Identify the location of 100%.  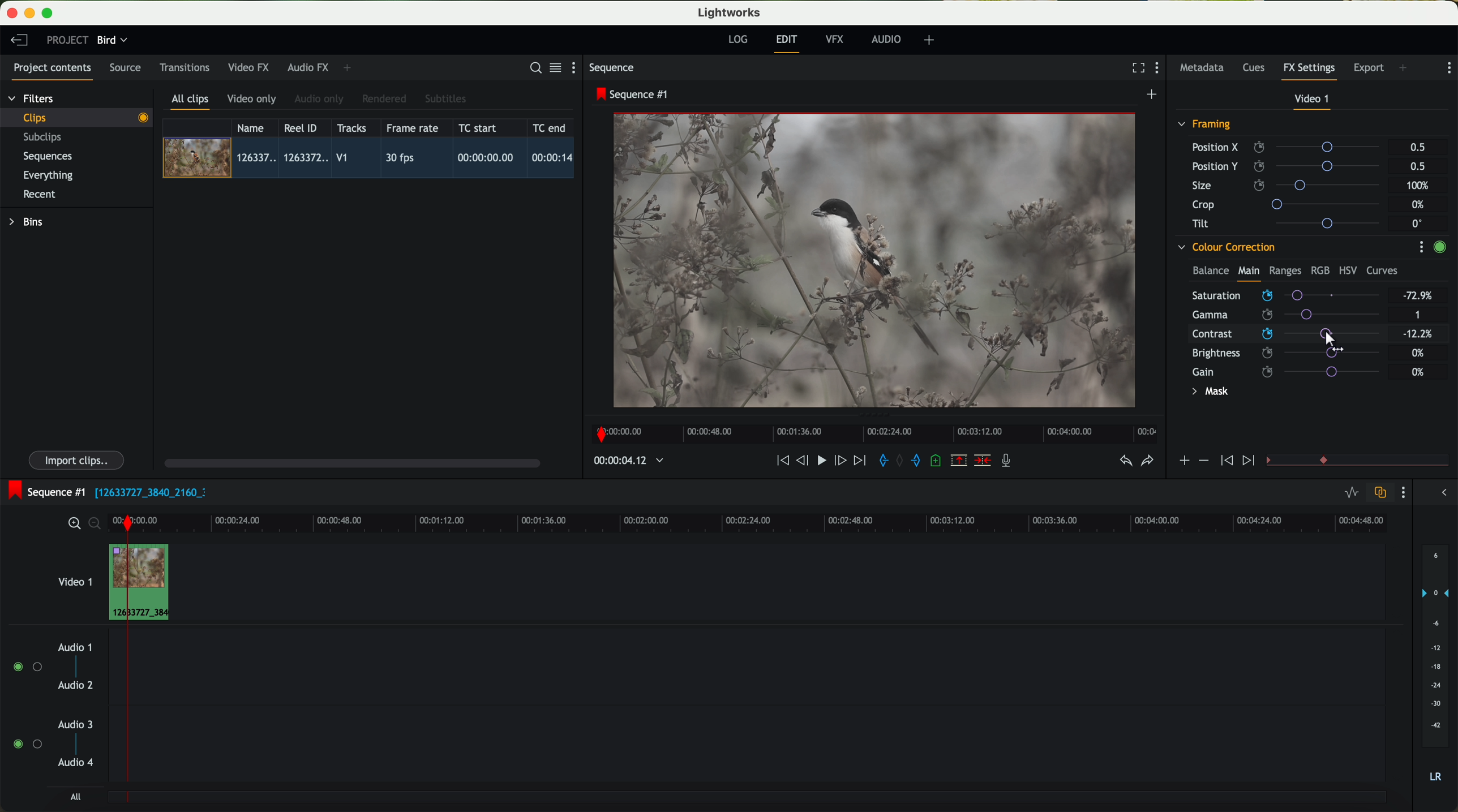
(1421, 186).